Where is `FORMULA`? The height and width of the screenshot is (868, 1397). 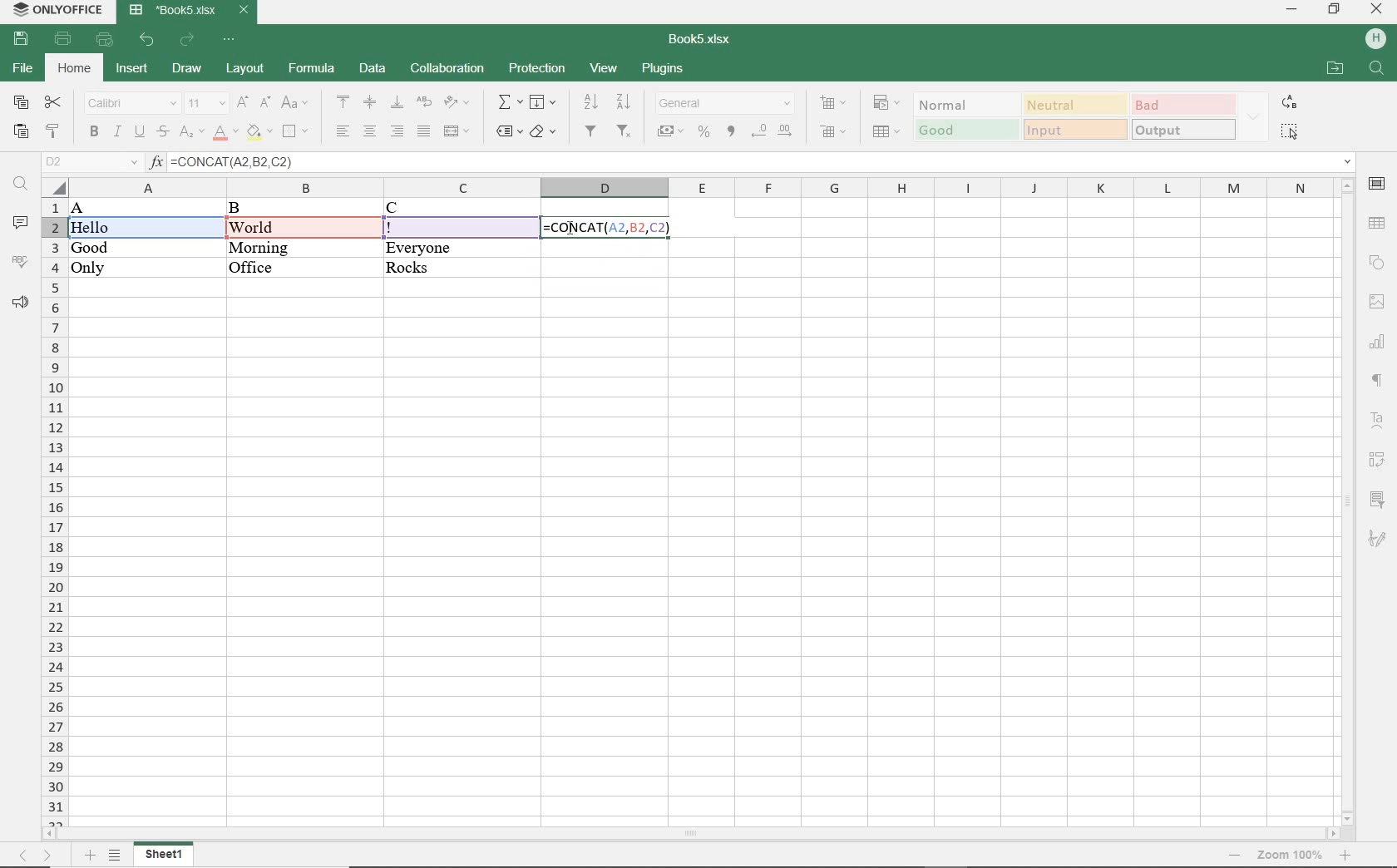 FORMULA is located at coordinates (606, 228).